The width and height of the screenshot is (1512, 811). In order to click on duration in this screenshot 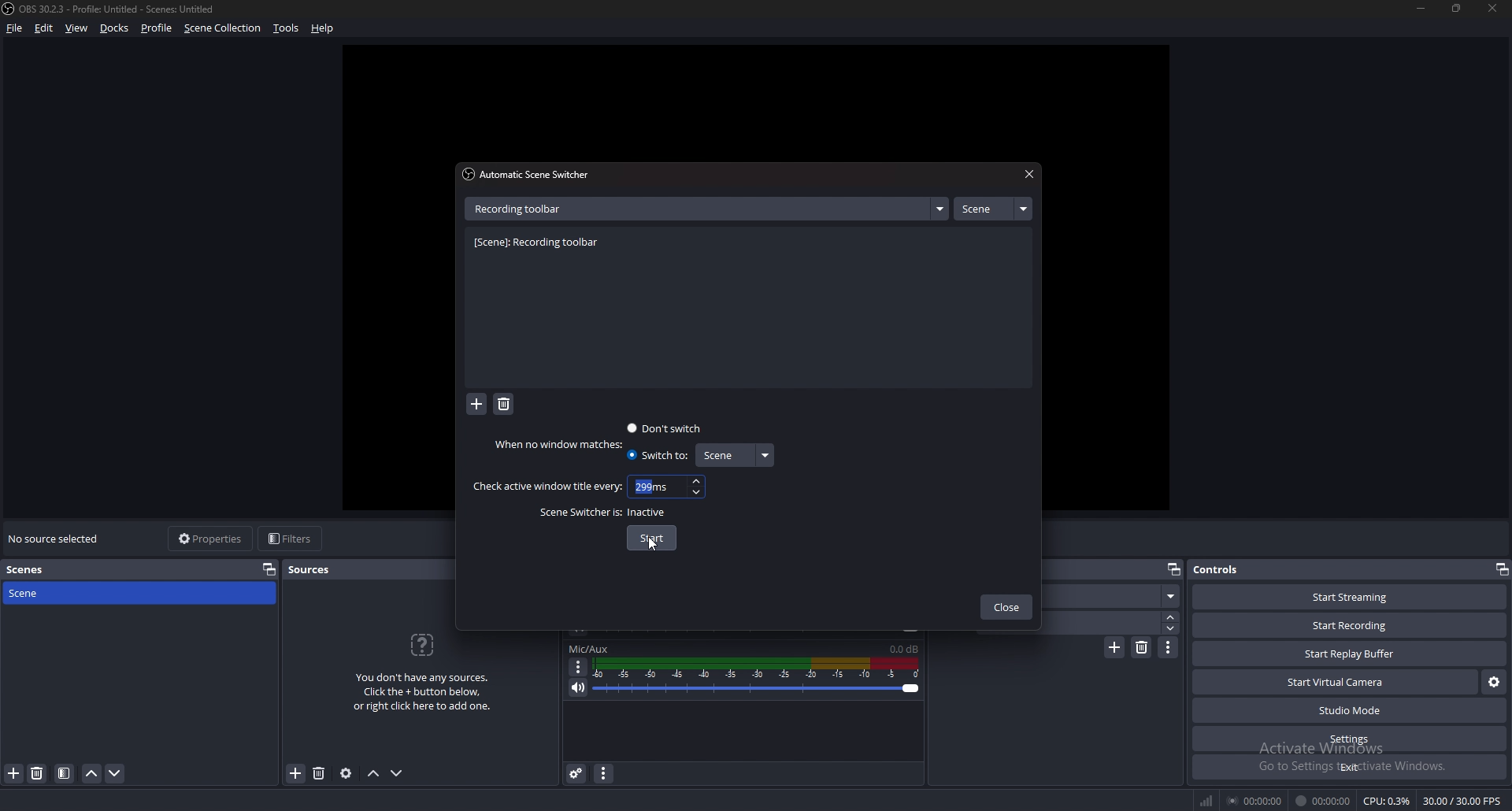, I will do `click(1110, 622)`.